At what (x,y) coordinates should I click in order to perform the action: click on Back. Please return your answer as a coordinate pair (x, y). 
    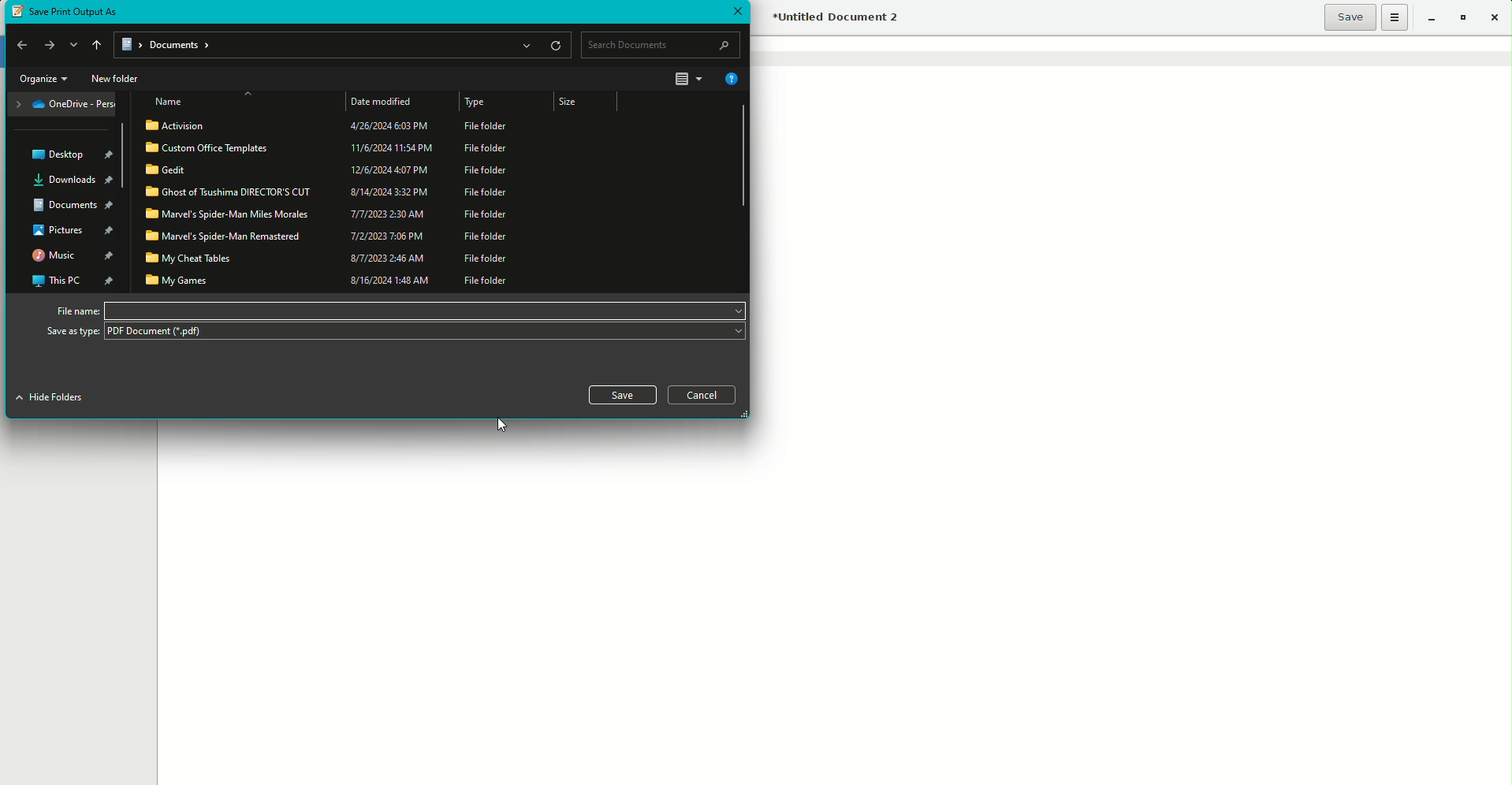
    Looking at the image, I should click on (19, 46).